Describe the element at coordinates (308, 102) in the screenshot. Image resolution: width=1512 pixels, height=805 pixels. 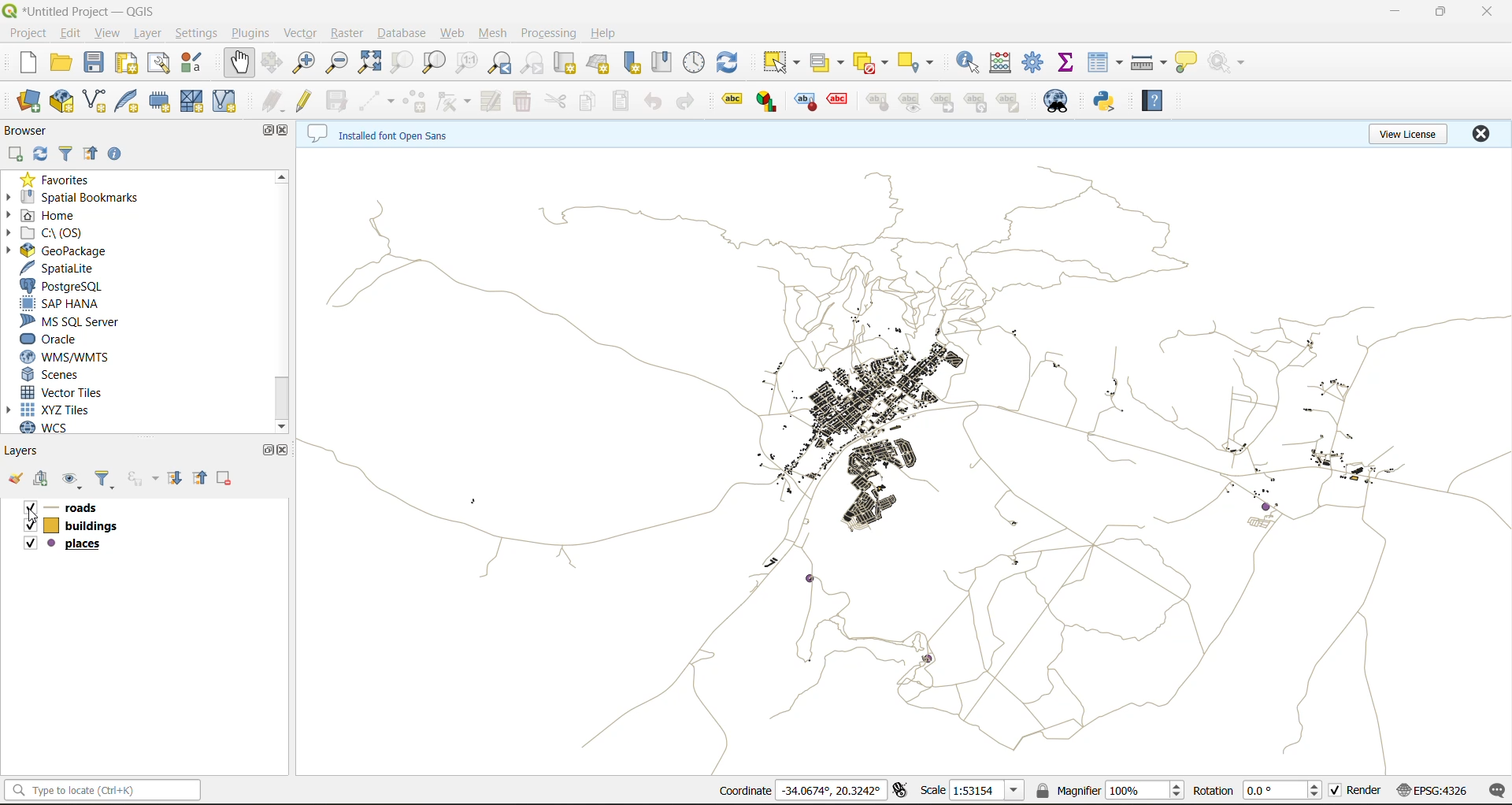
I see `toggle edits` at that location.